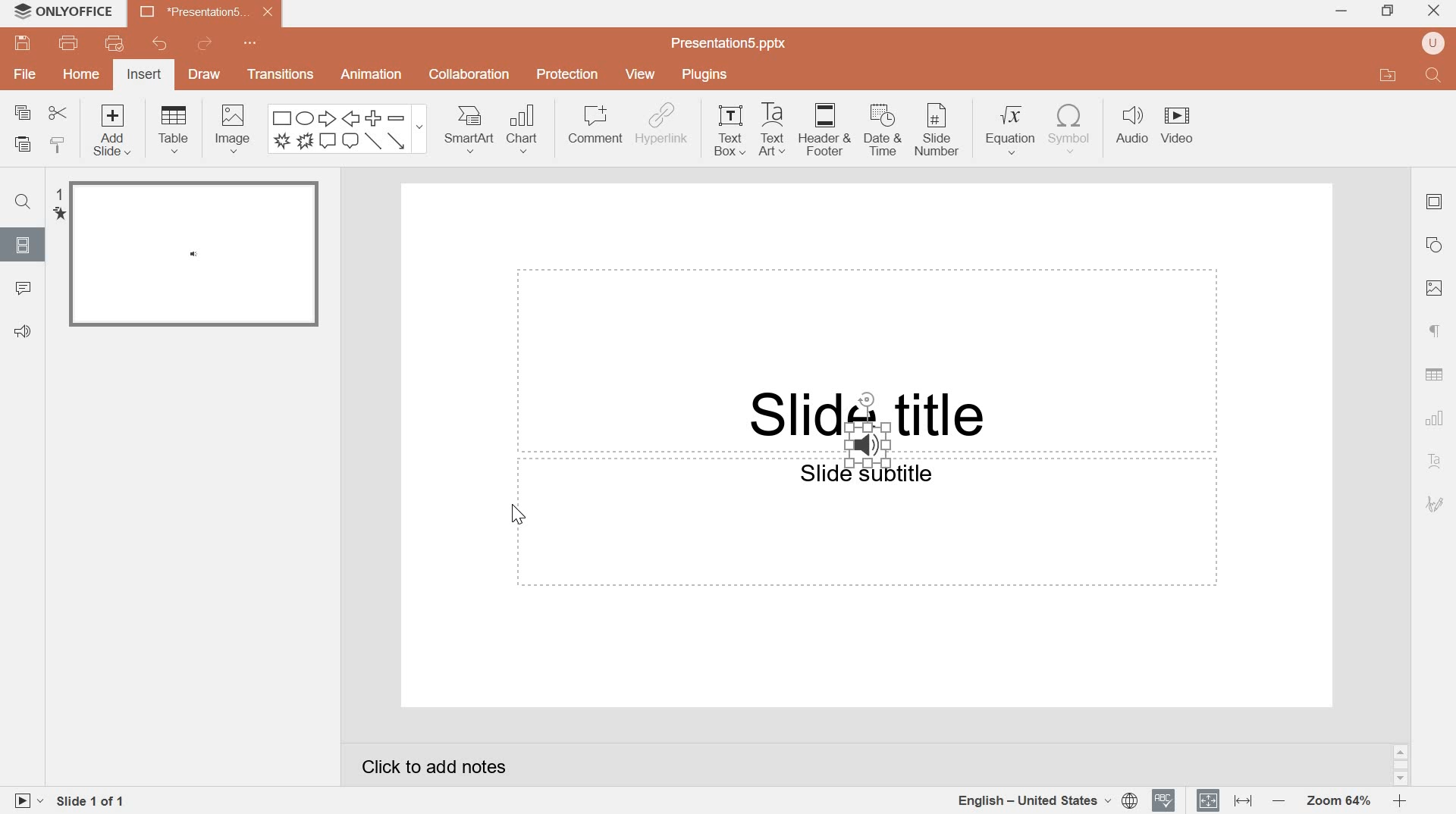 The height and width of the screenshot is (814, 1456). I want to click on Video, so click(1176, 115).